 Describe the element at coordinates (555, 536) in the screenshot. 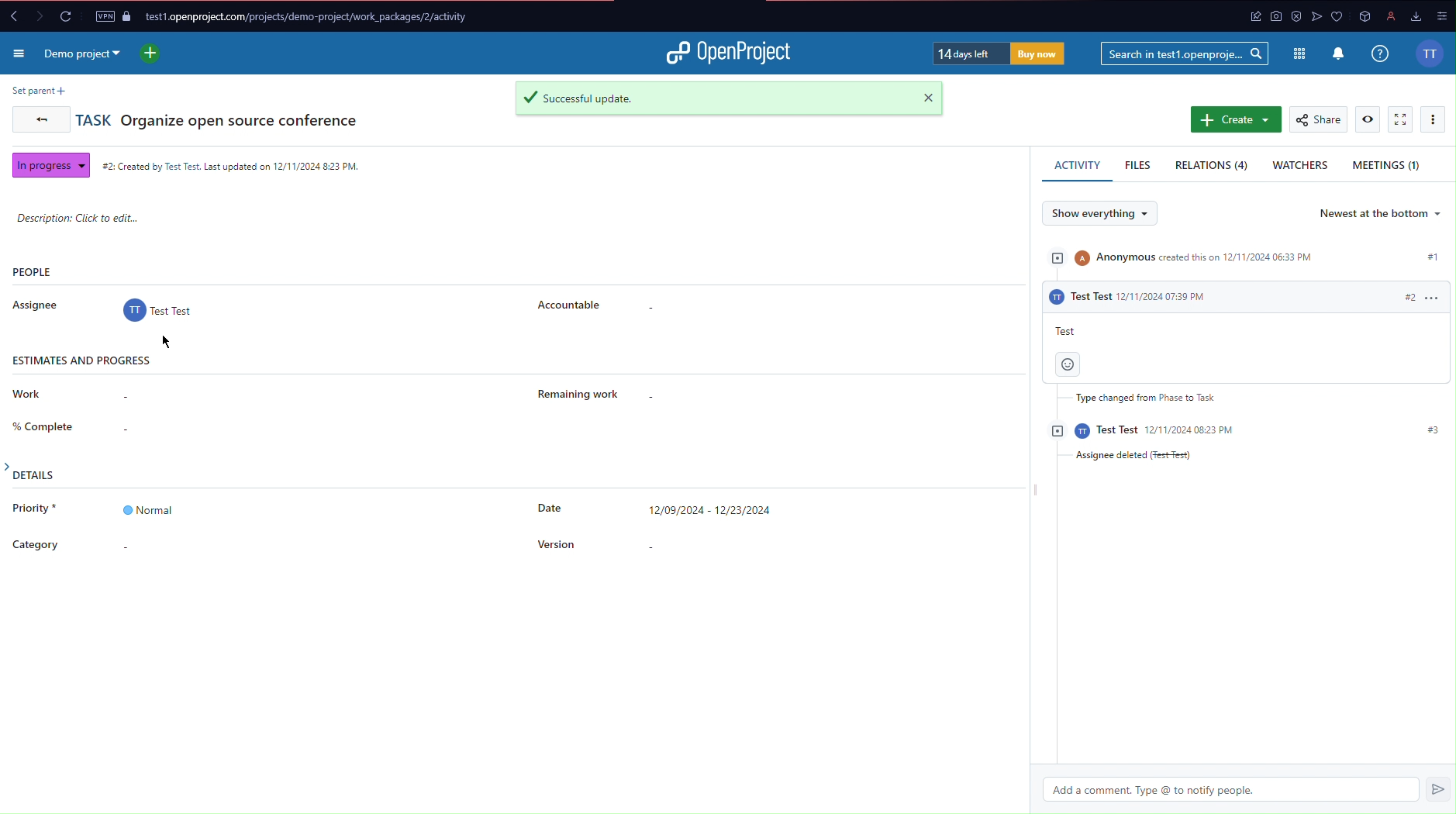

I see `Version` at that location.